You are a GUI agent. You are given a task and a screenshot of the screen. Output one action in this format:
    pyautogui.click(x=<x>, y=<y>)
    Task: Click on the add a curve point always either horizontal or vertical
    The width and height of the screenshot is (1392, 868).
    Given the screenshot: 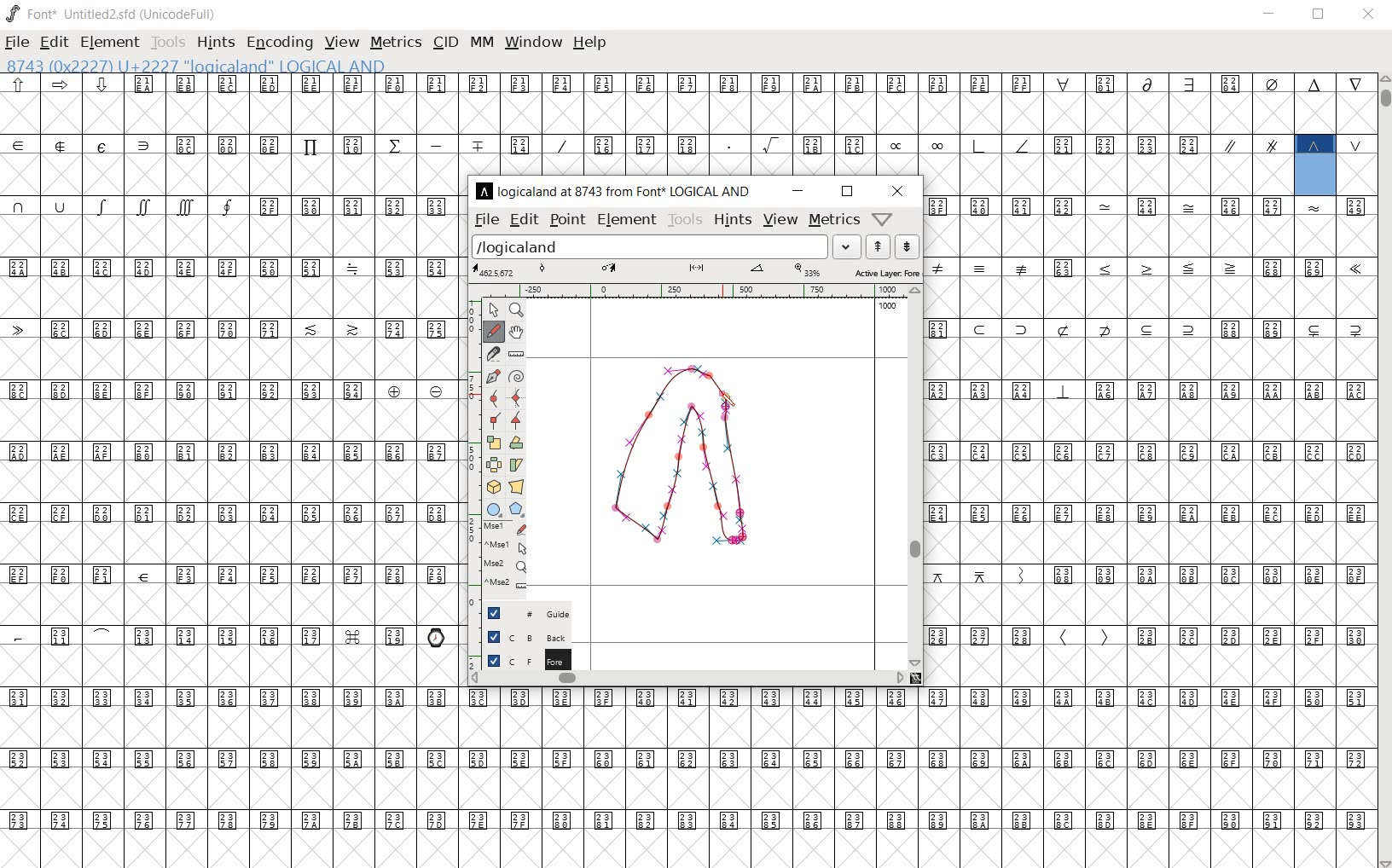 What is the action you would take?
    pyautogui.click(x=496, y=396)
    